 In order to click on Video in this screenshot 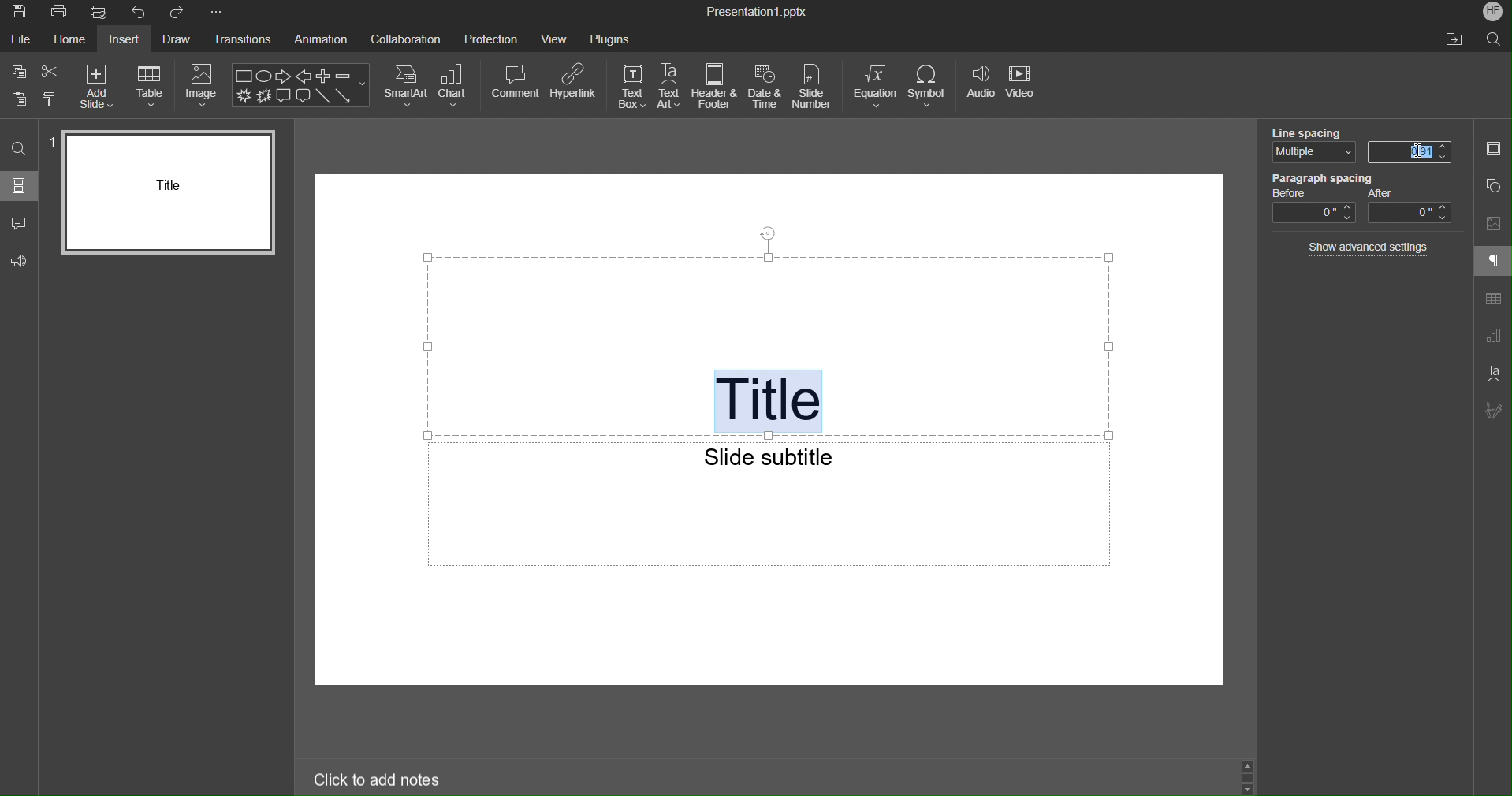, I will do `click(1026, 88)`.